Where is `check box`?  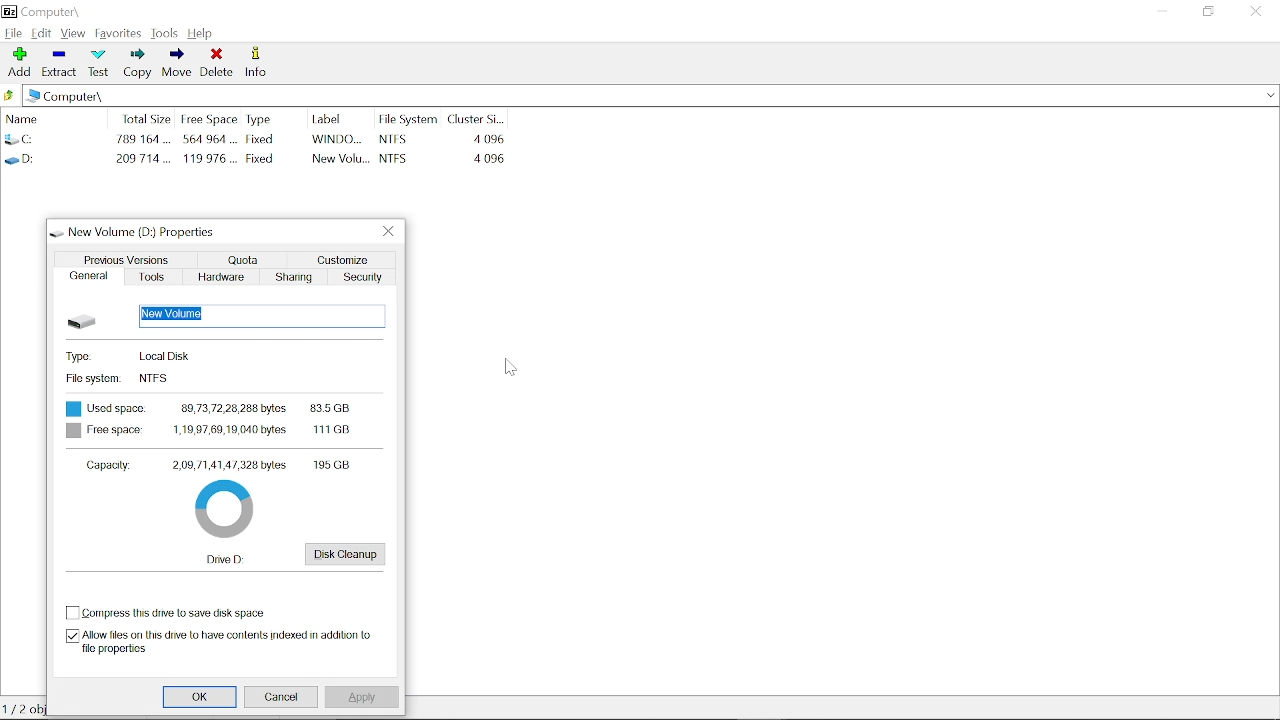 check box is located at coordinates (71, 637).